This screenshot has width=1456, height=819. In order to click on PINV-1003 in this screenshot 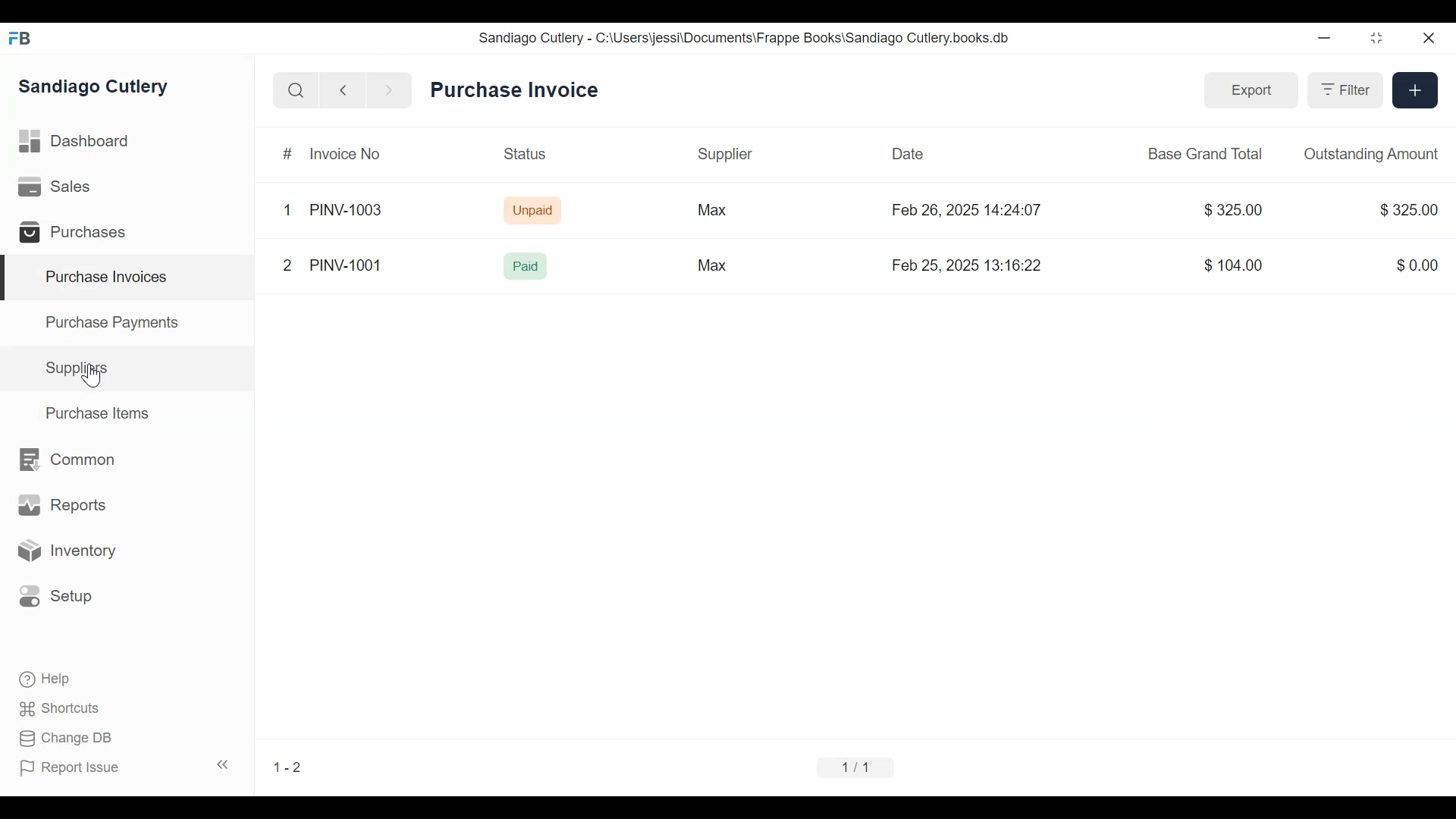, I will do `click(350, 204)`.